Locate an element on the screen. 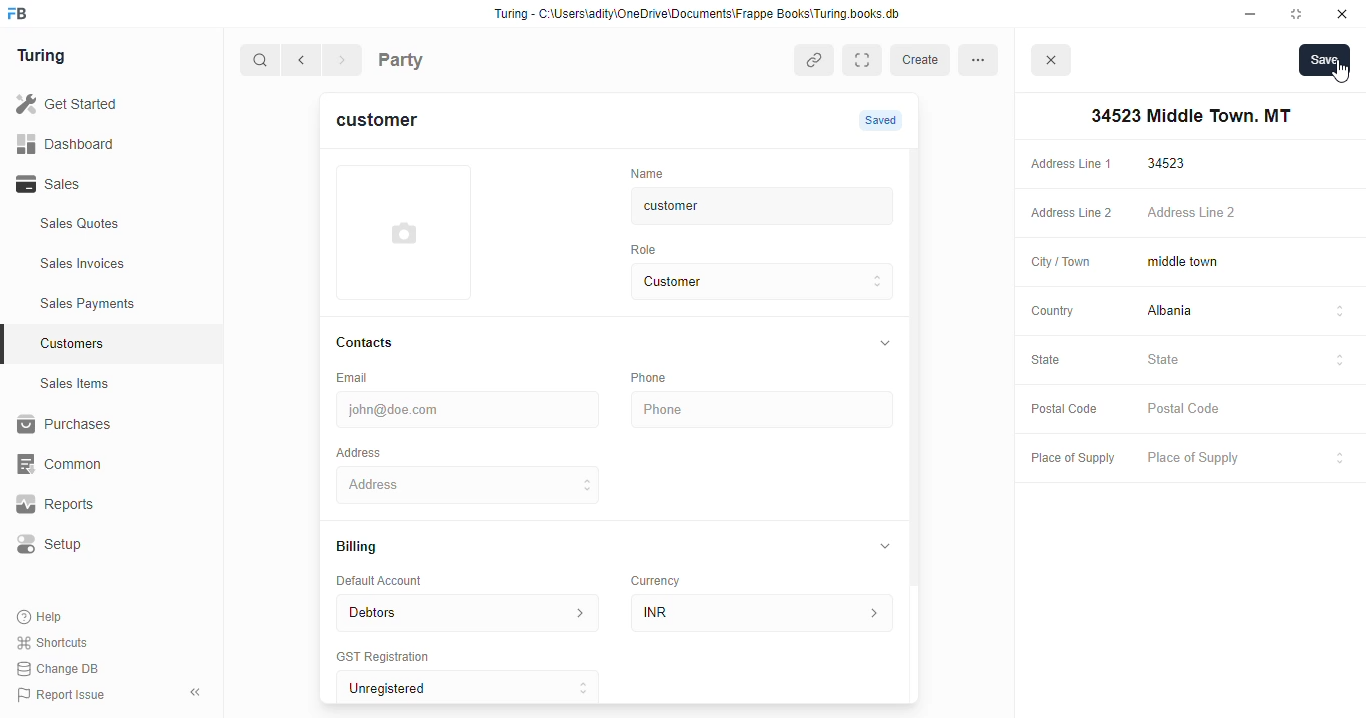  add profile photo is located at coordinates (404, 232).